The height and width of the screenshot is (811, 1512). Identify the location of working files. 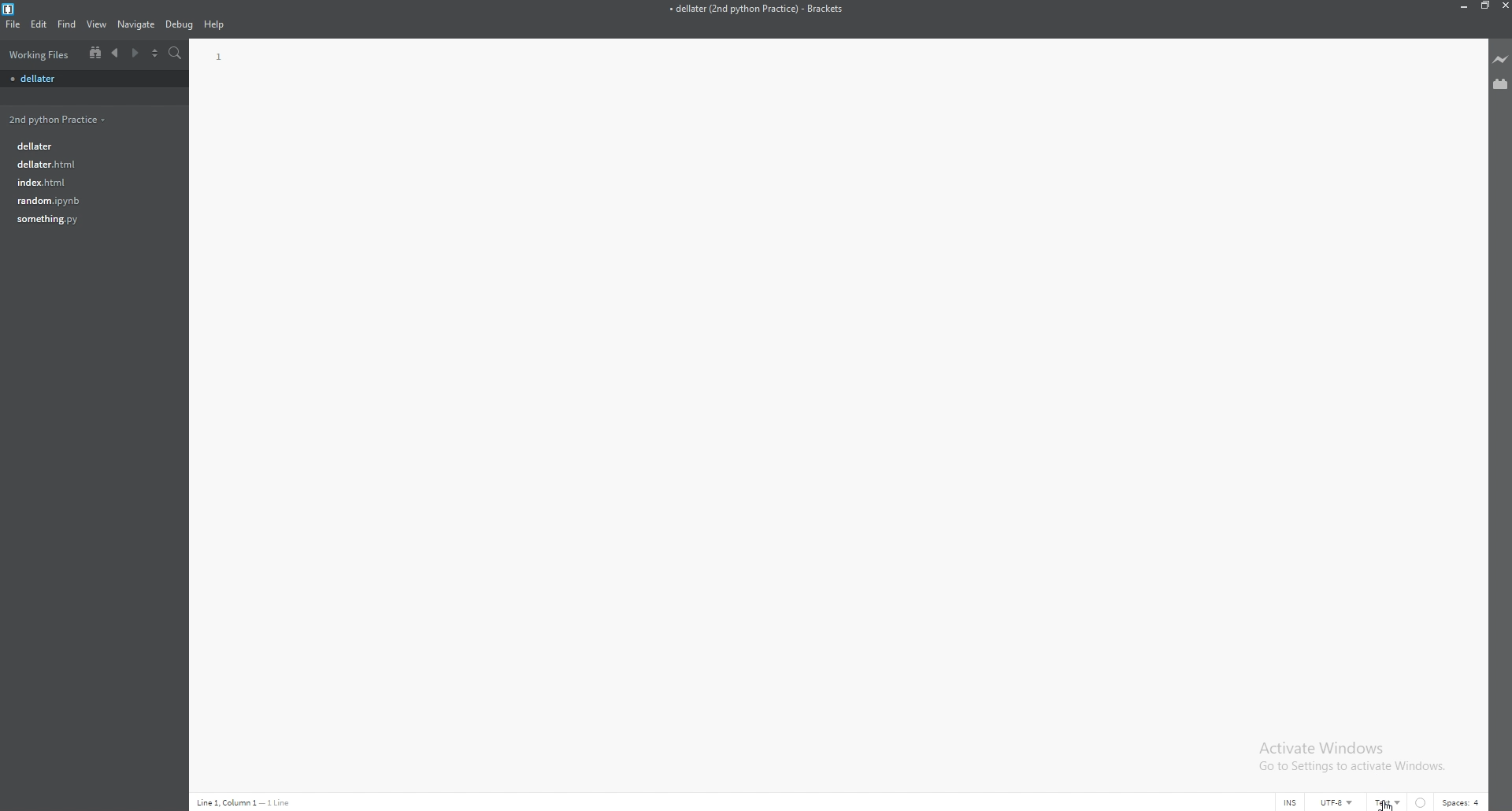
(40, 54).